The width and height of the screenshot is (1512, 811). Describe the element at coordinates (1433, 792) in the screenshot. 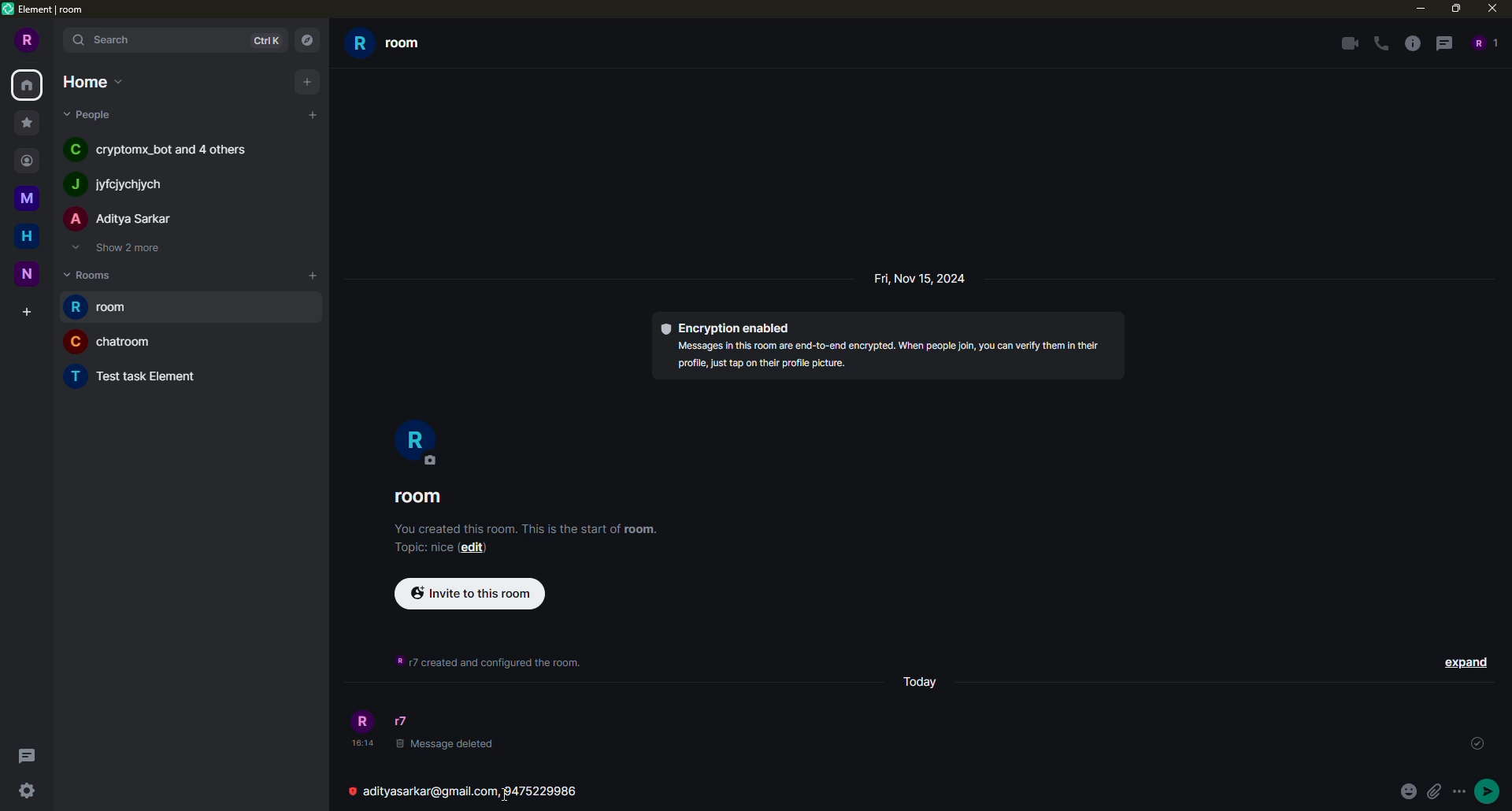

I see `attach` at that location.